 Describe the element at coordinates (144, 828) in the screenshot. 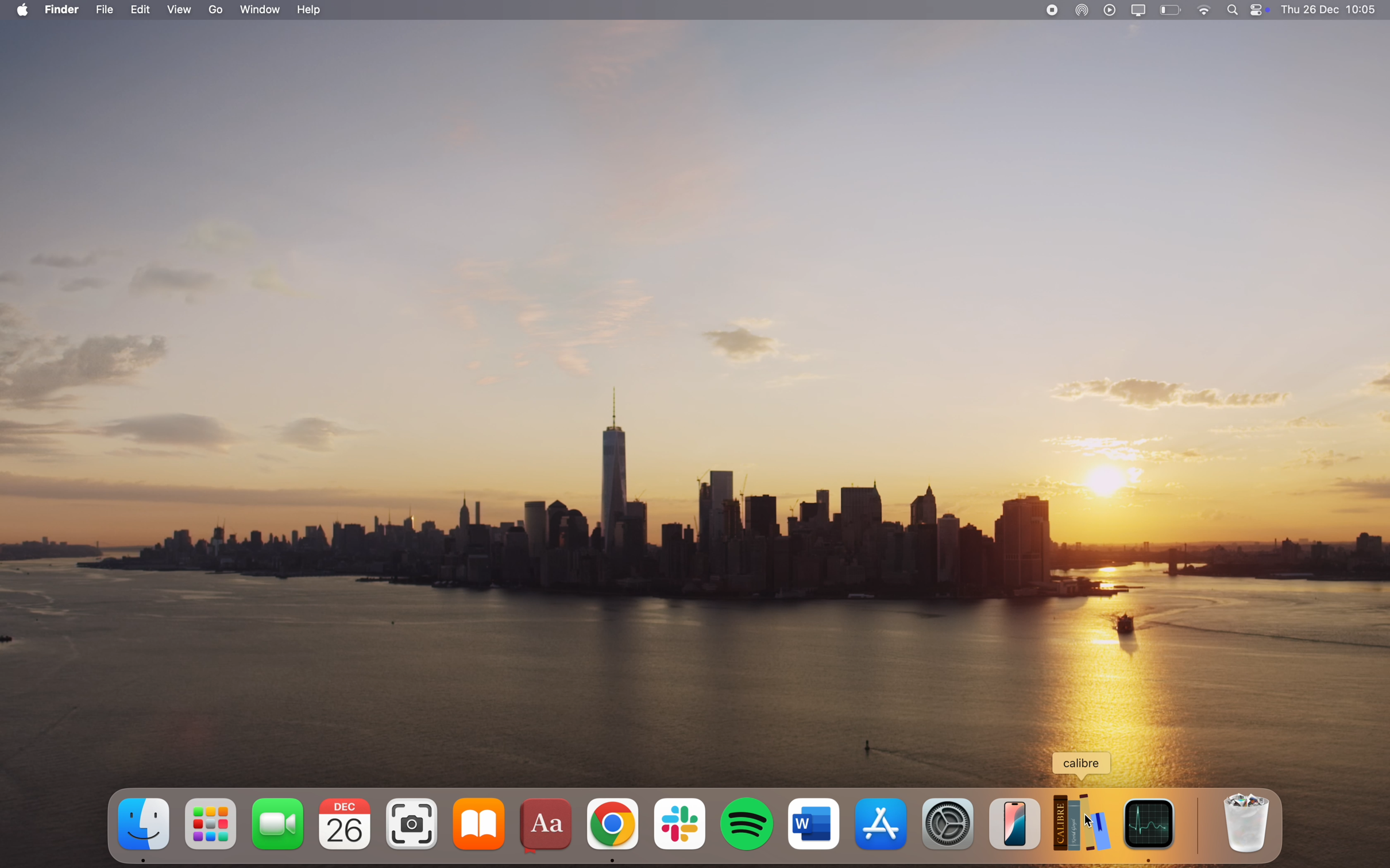

I see `Finder` at that location.